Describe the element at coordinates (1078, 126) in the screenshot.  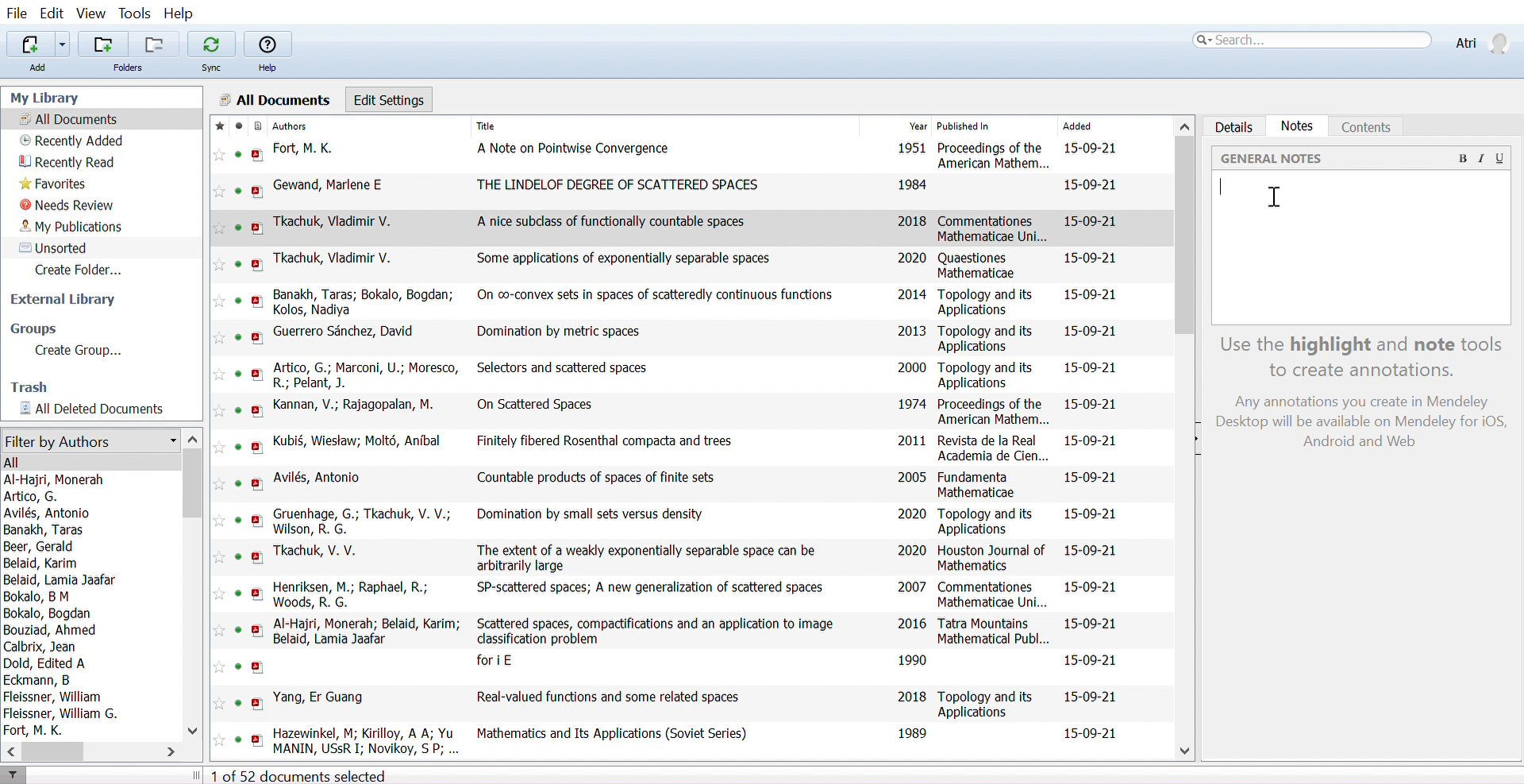
I see `Added` at that location.